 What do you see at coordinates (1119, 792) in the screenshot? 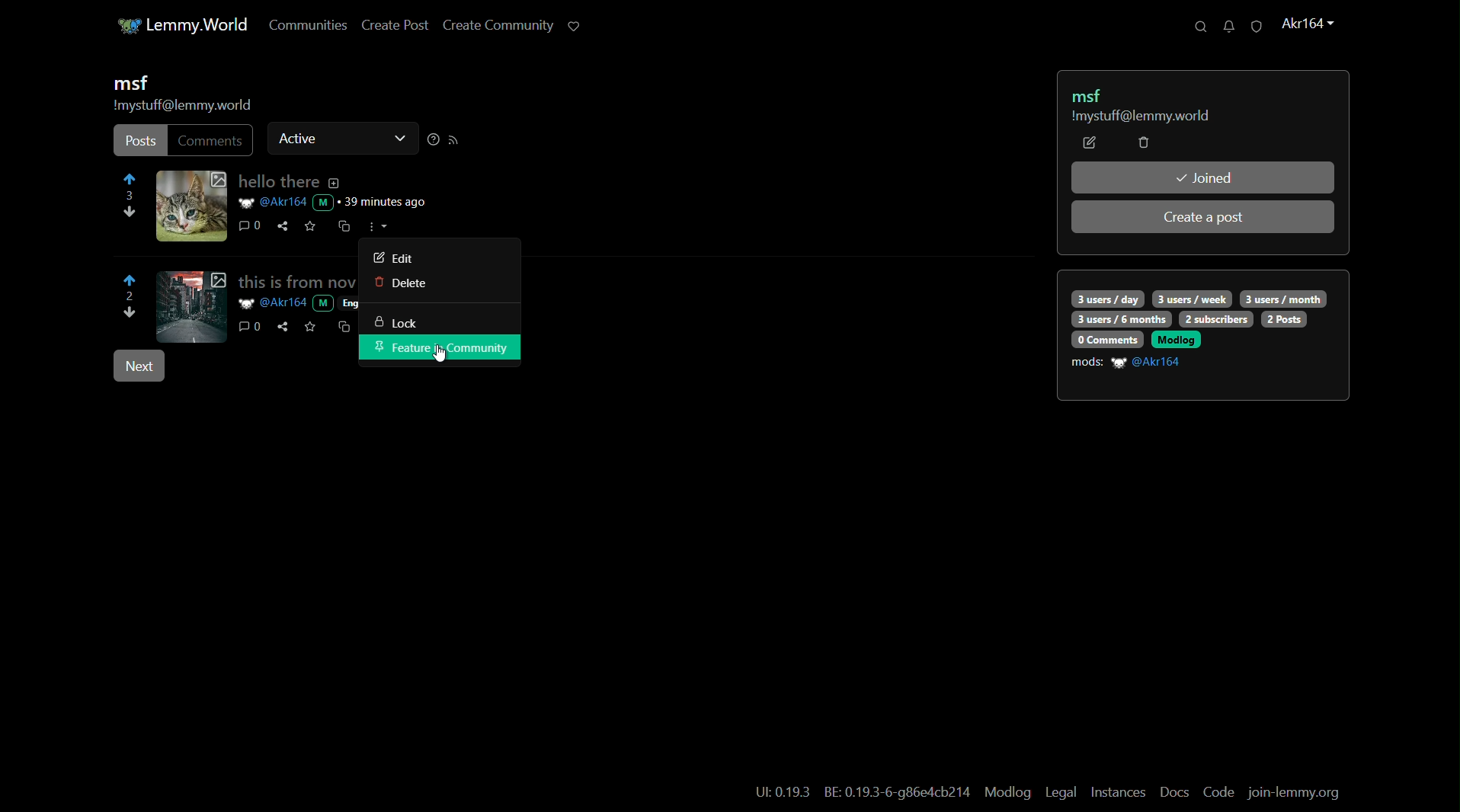
I see `instances` at bounding box center [1119, 792].